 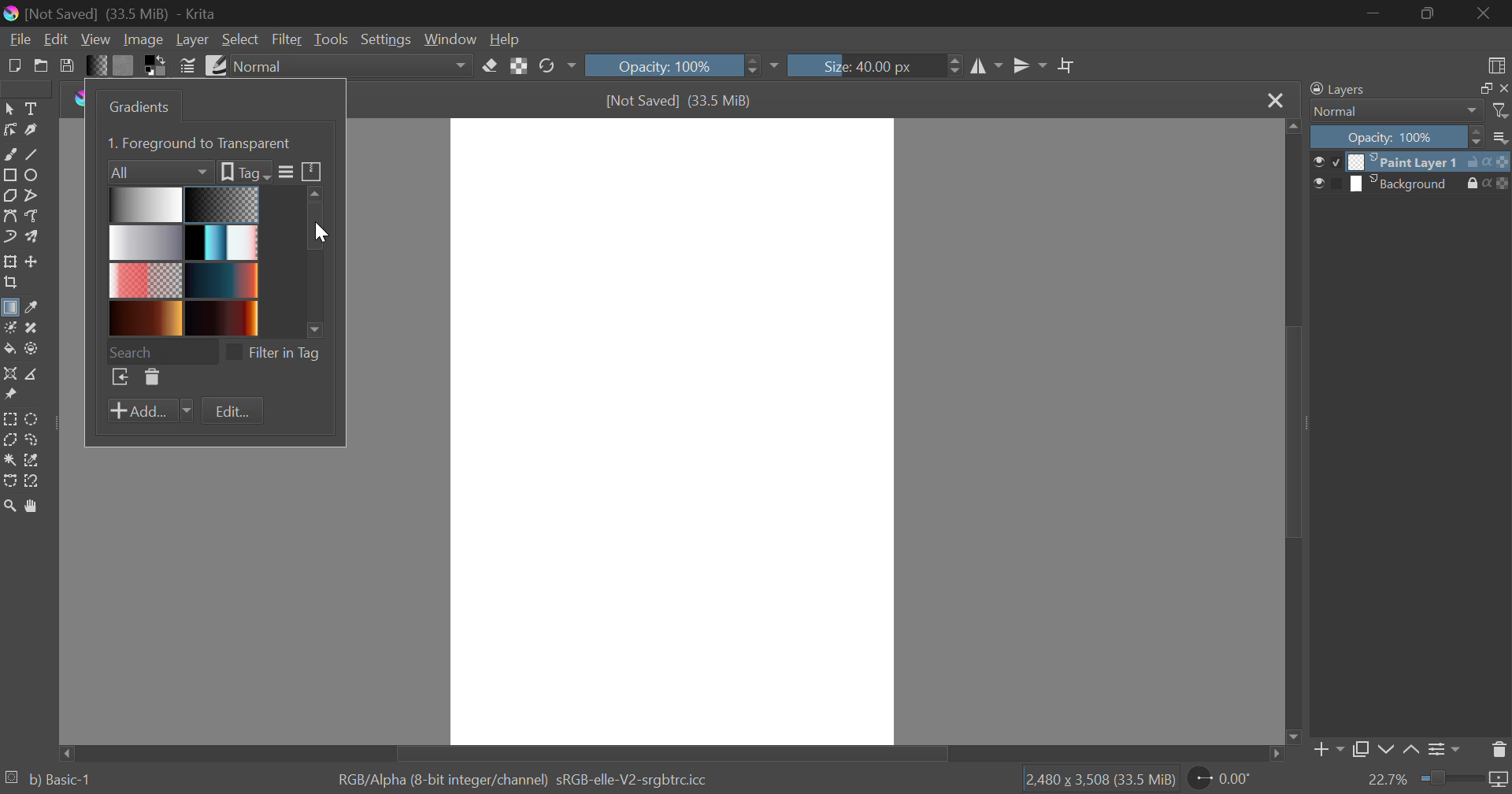 What do you see at coordinates (96, 39) in the screenshot?
I see `View` at bounding box center [96, 39].